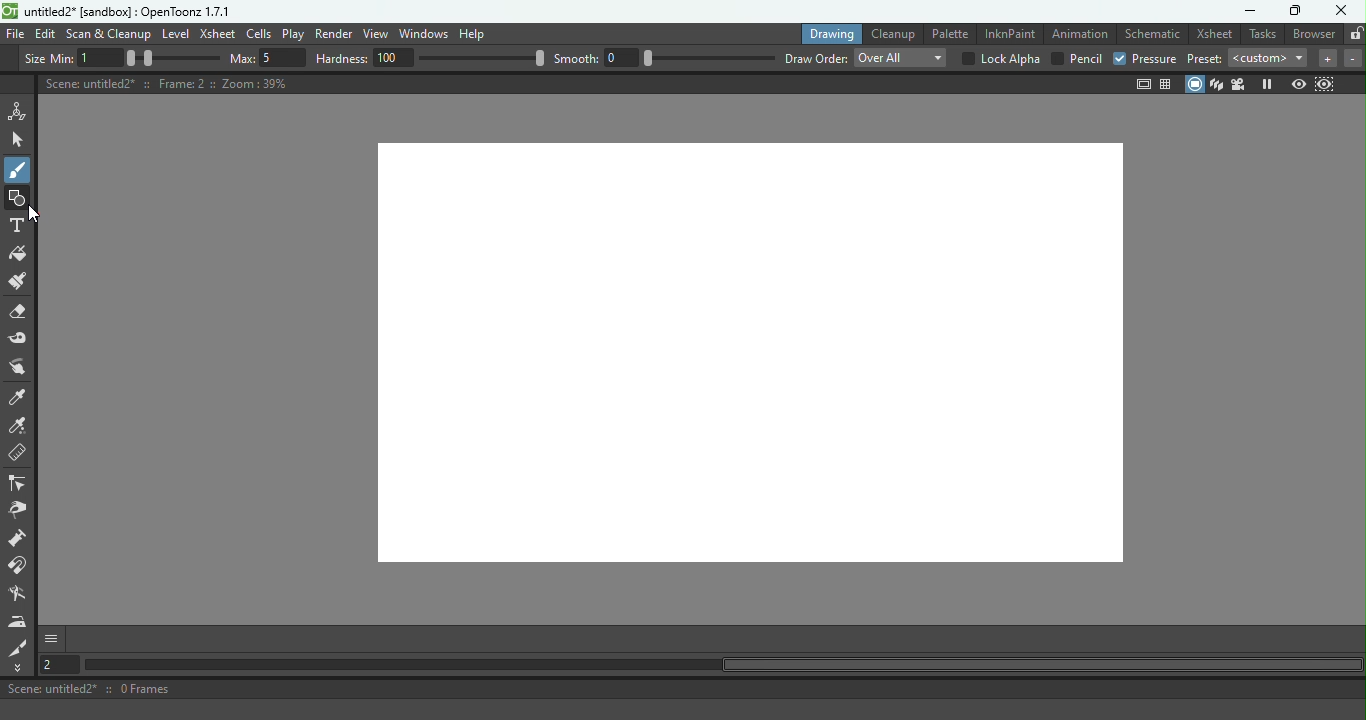 Image resolution: width=1366 pixels, height=720 pixels. What do you see at coordinates (293, 34) in the screenshot?
I see `Play` at bounding box center [293, 34].